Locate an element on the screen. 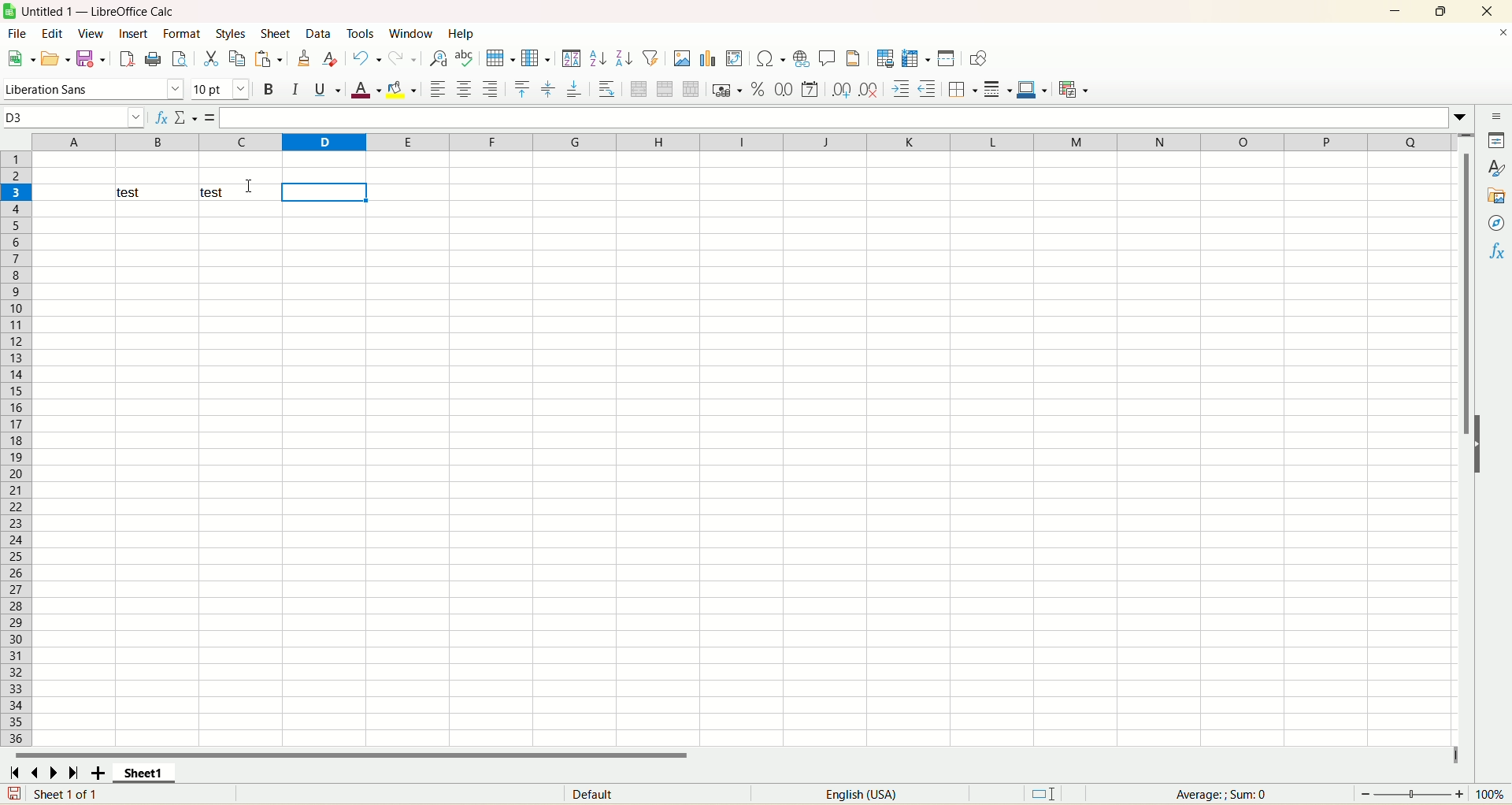 The height and width of the screenshot is (805, 1512). print preview is located at coordinates (179, 58).